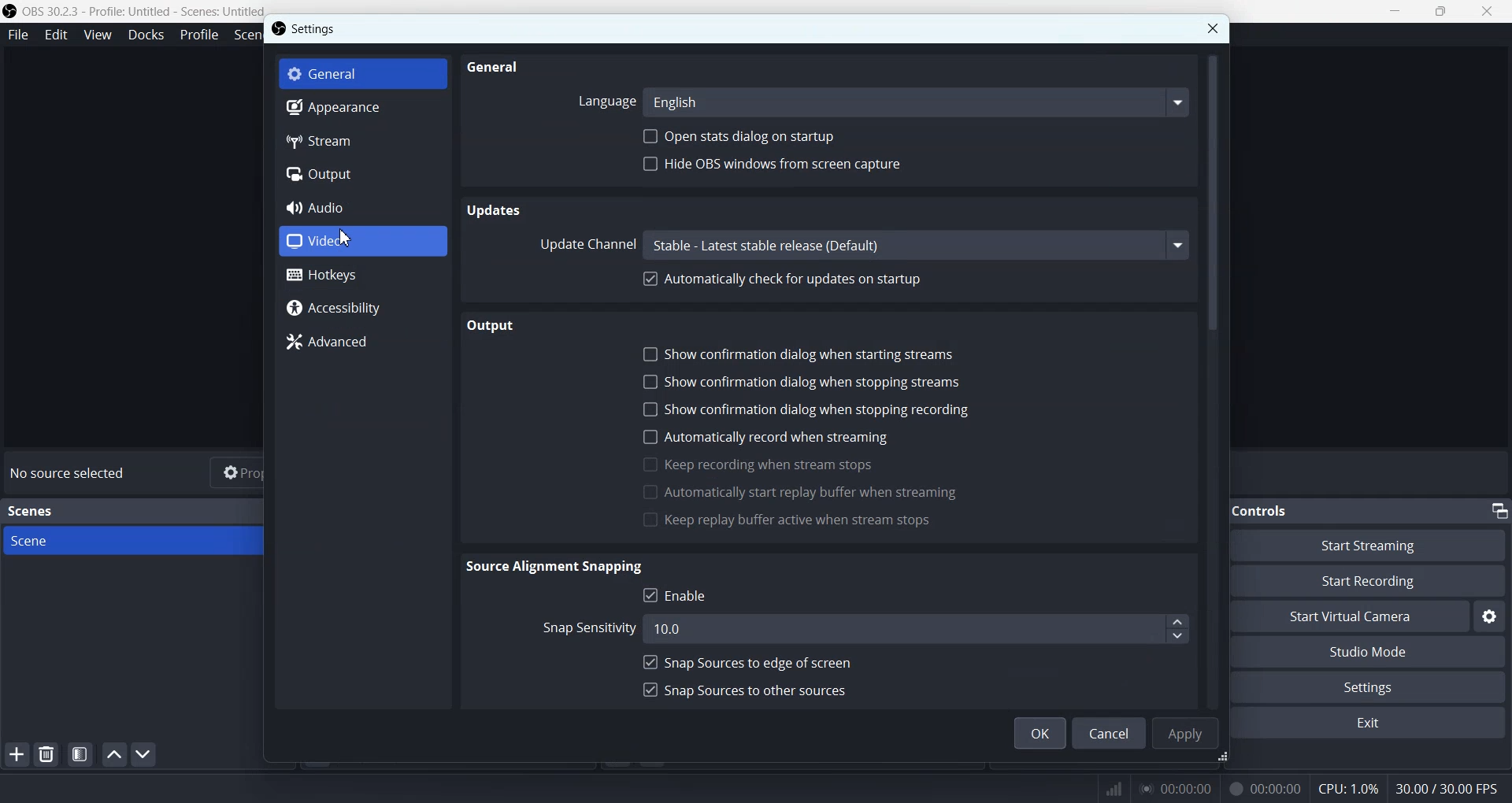  What do you see at coordinates (1381, 544) in the screenshot?
I see `Start Streaming` at bounding box center [1381, 544].